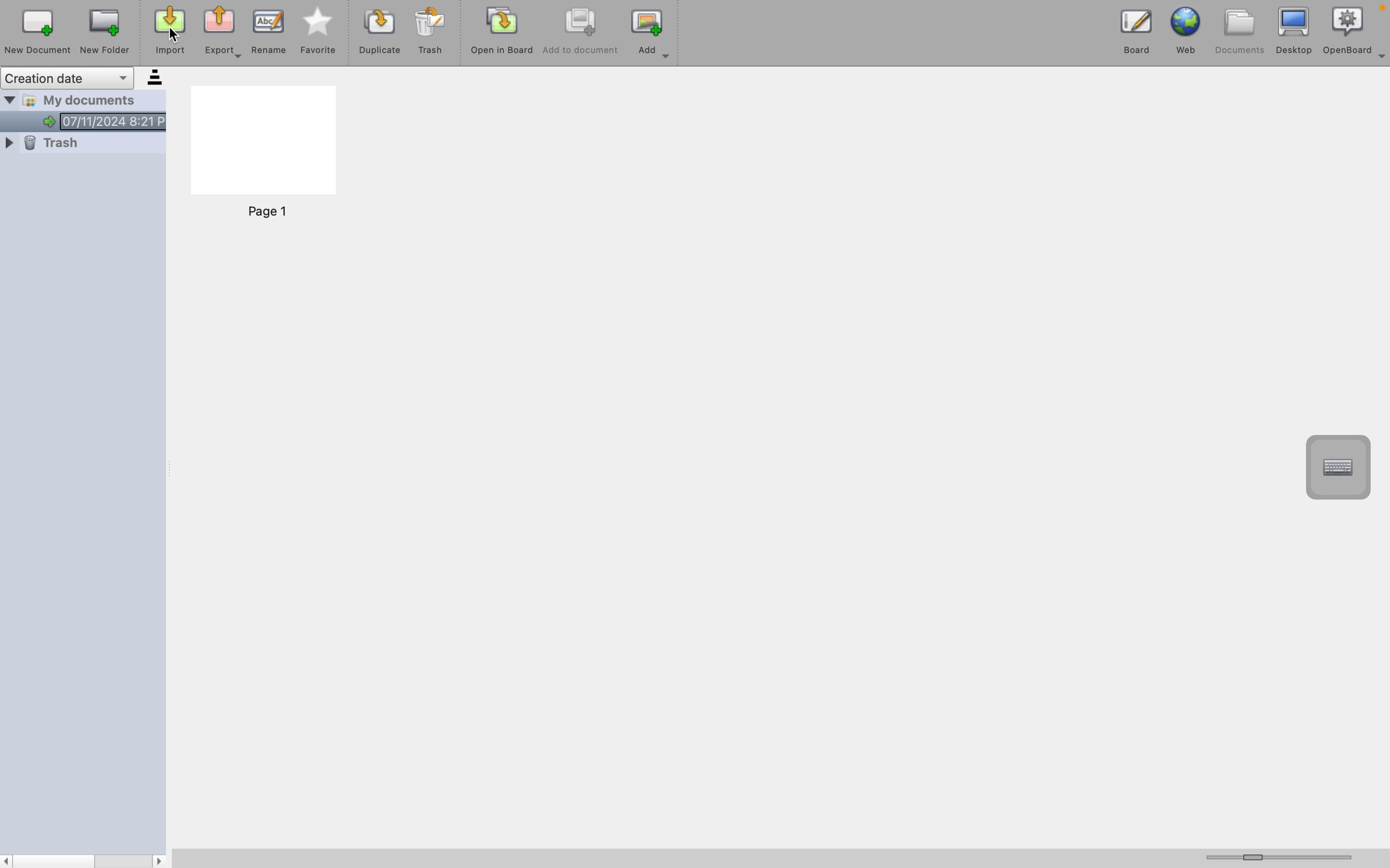 The height and width of the screenshot is (868, 1390). What do you see at coordinates (85, 860) in the screenshot?
I see `scrollbar` at bounding box center [85, 860].